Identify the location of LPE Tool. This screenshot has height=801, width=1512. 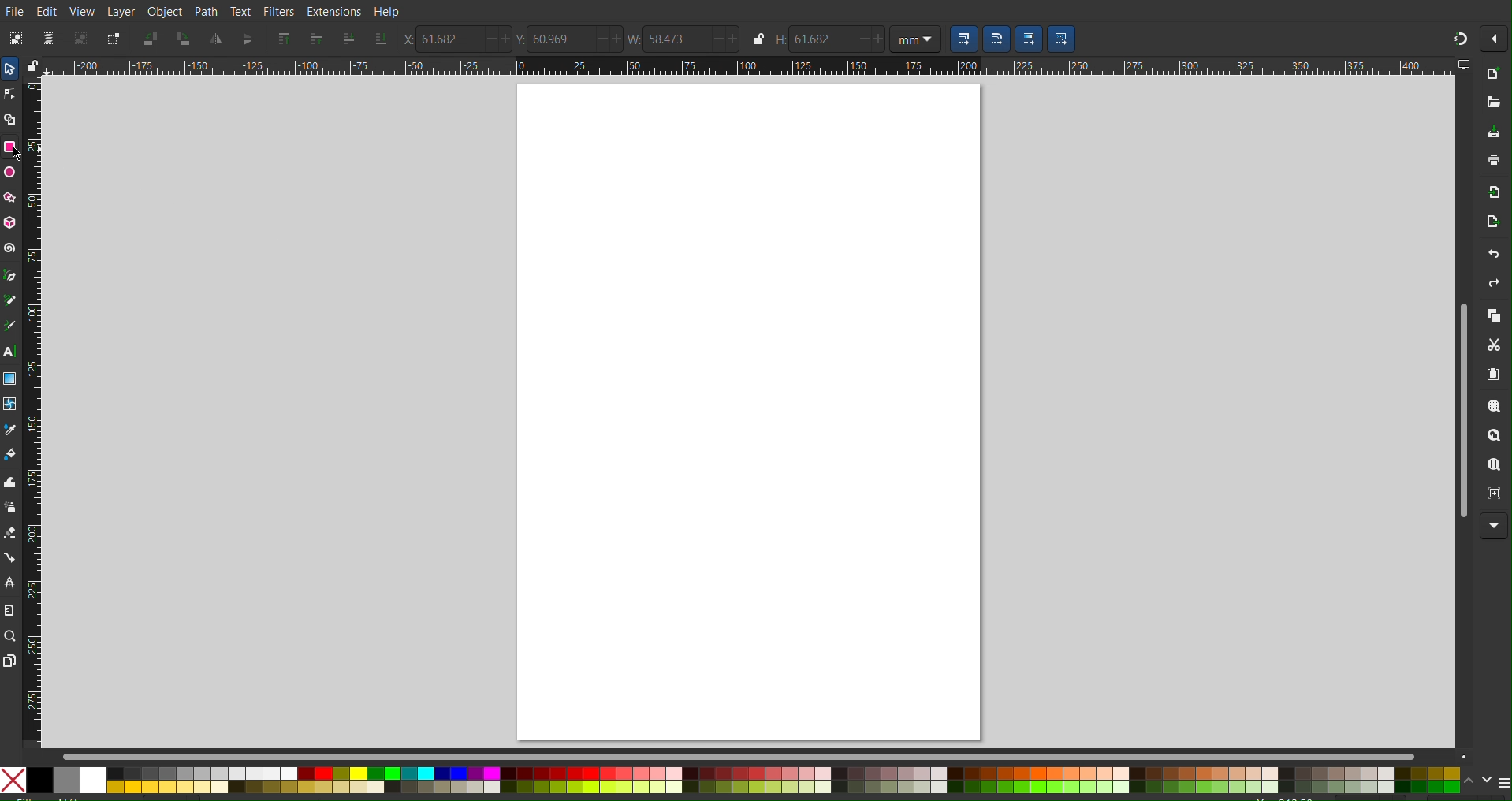
(9, 583).